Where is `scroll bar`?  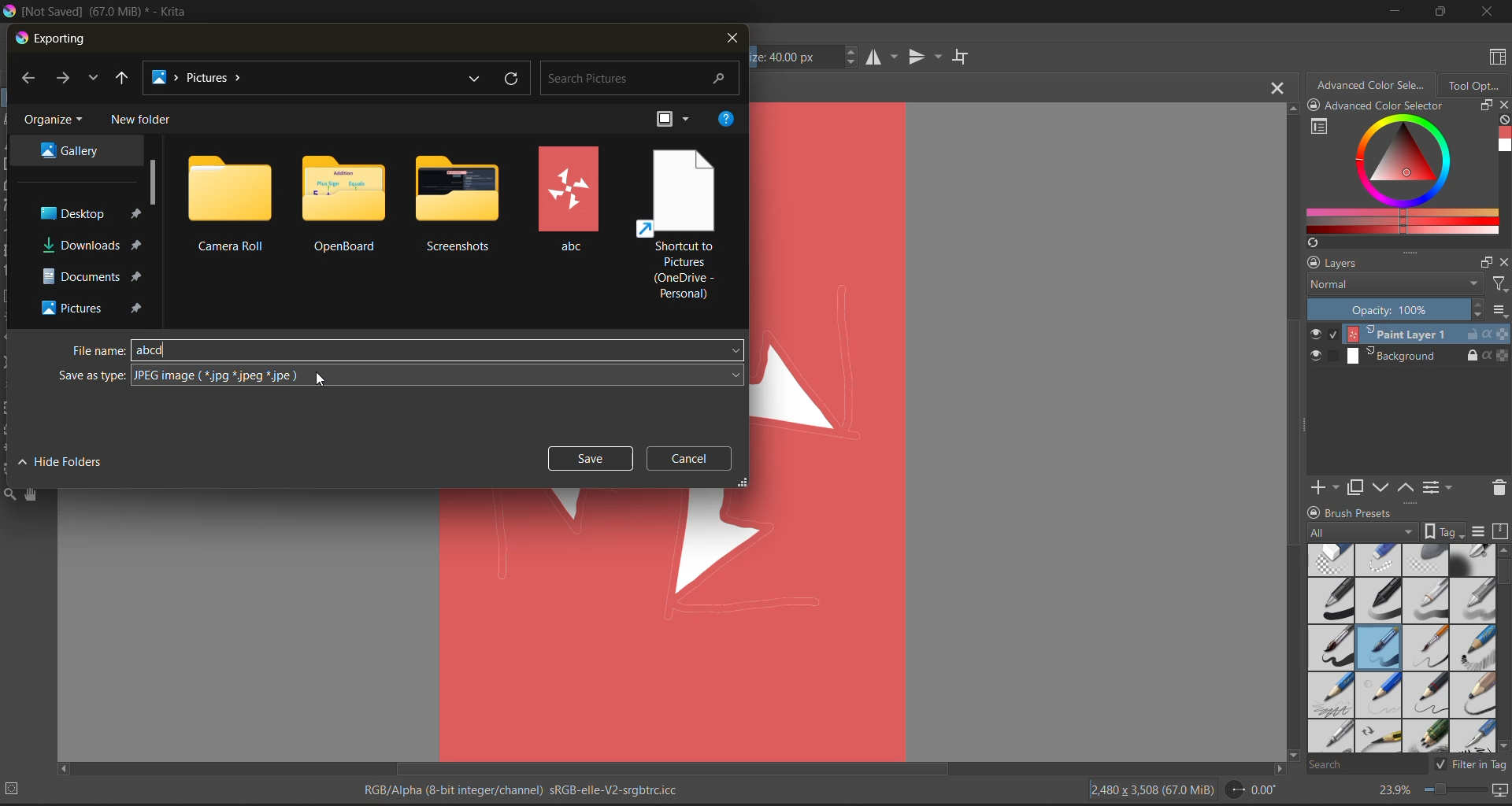 scroll bar is located at coordinates (153, 180).